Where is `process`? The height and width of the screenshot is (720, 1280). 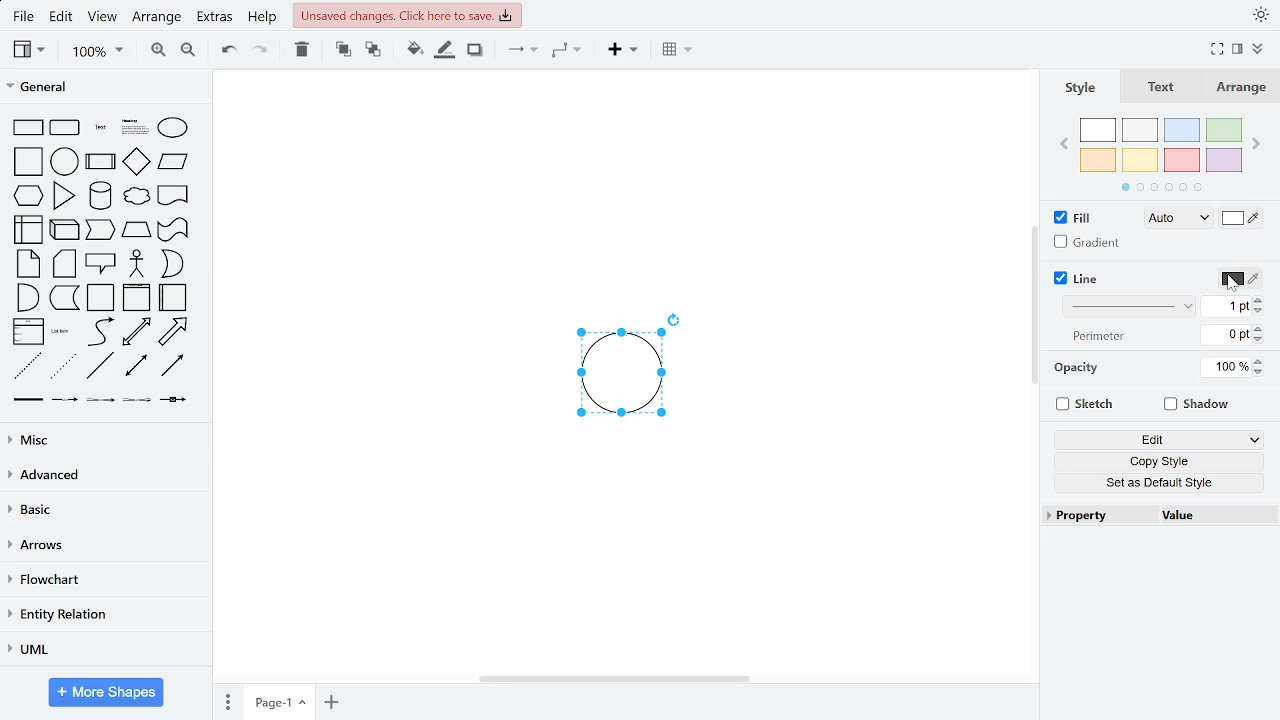
process is located at coordinates (100, 162).